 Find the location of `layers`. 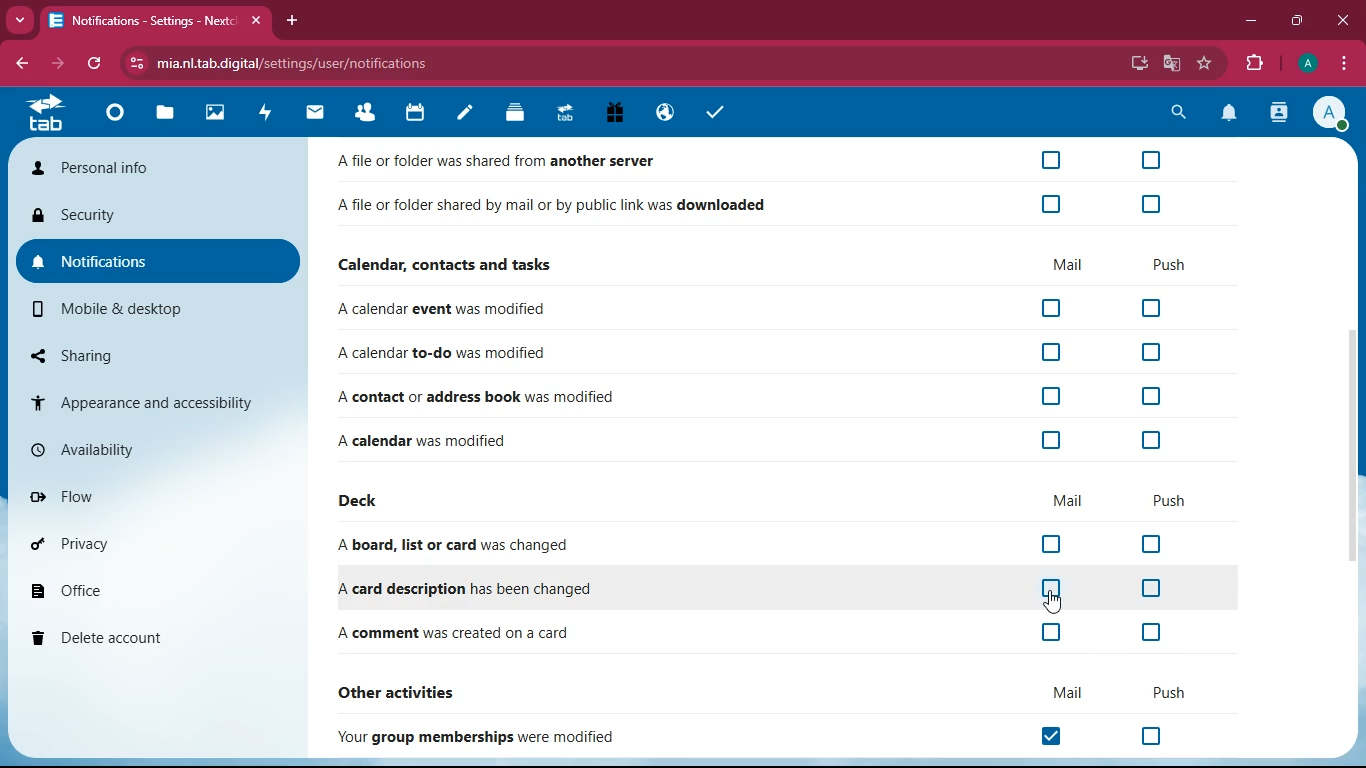

layers is located at coordinates (514, 113).